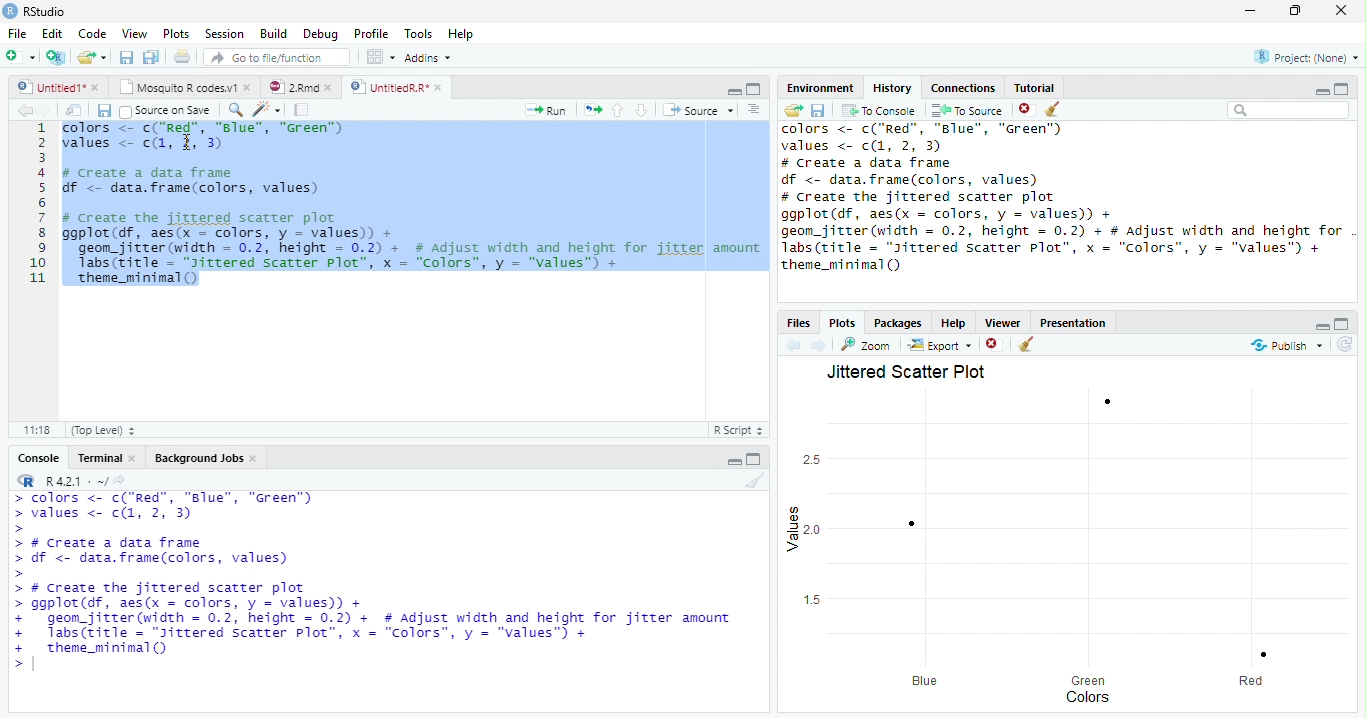 This screenshot has width=1366, height=718. Describe the element at coordinates (1341, 10) in the screenshot. I see `close` at that location.